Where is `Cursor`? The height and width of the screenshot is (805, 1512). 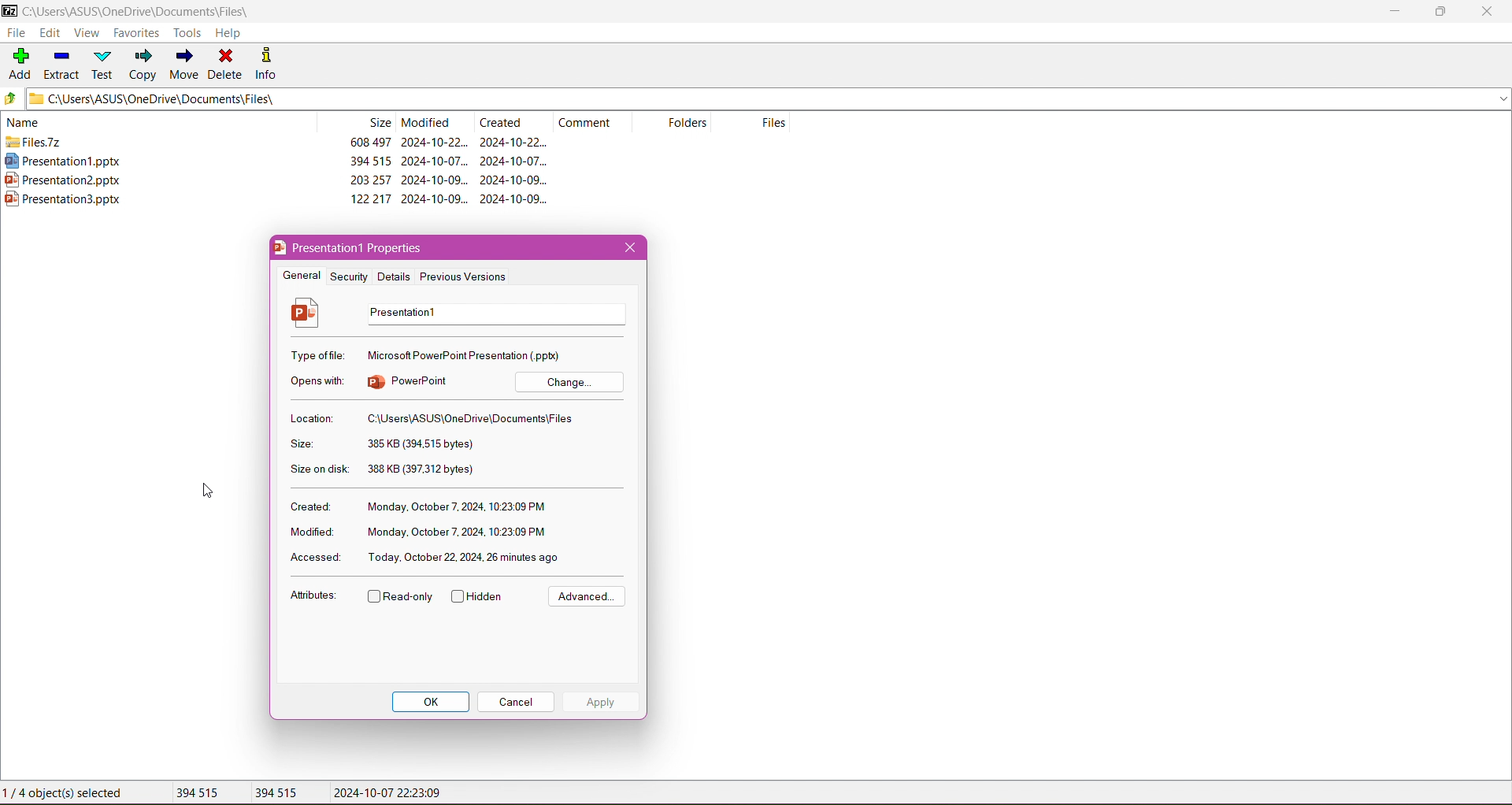 Cursor is located at coordinates (209, 492).